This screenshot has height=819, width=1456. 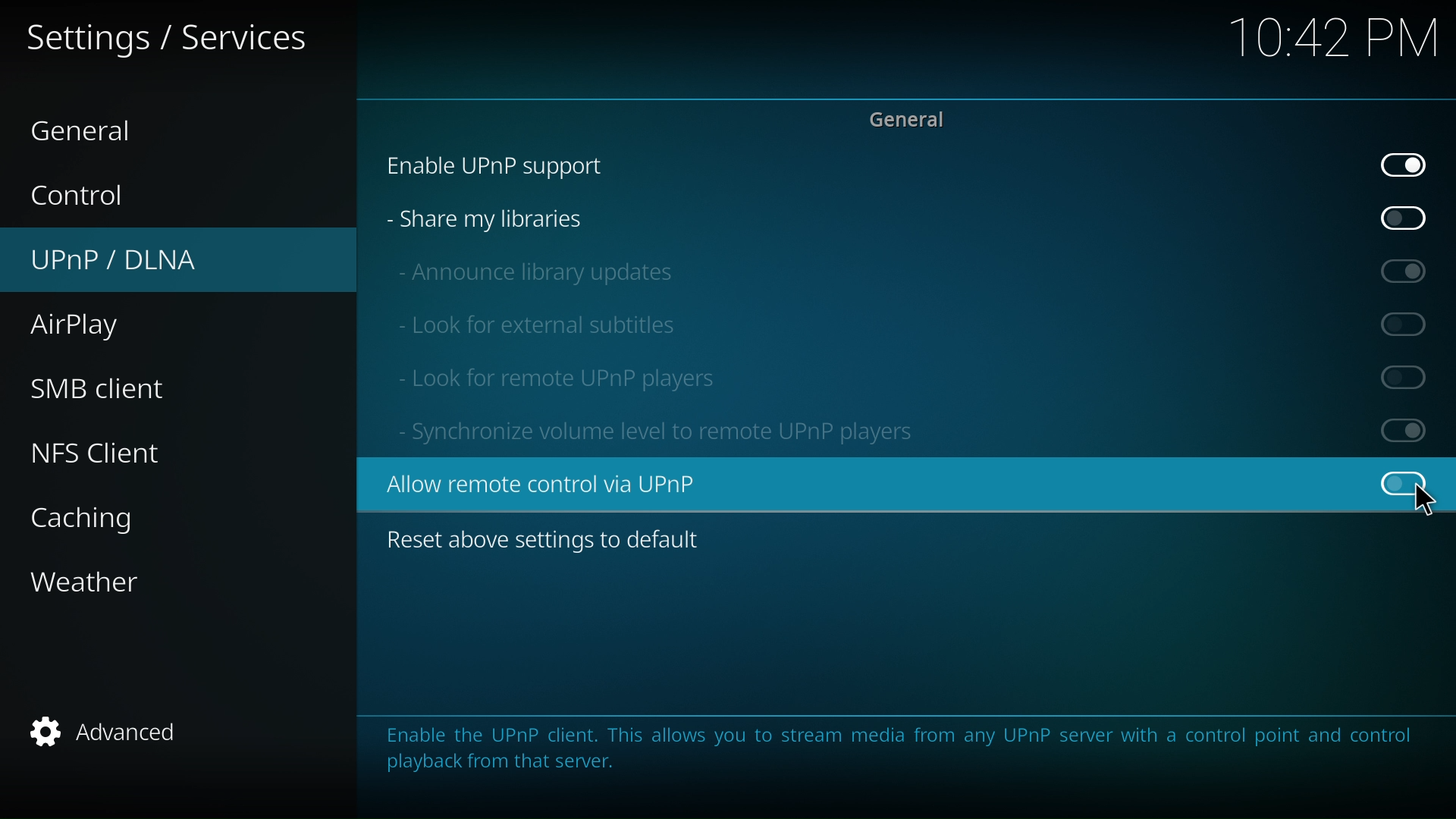 What do you see at coordinates (912, 378) in the screenshot?
I see `look for remote UPnP player` at bounding box center [912, 378].